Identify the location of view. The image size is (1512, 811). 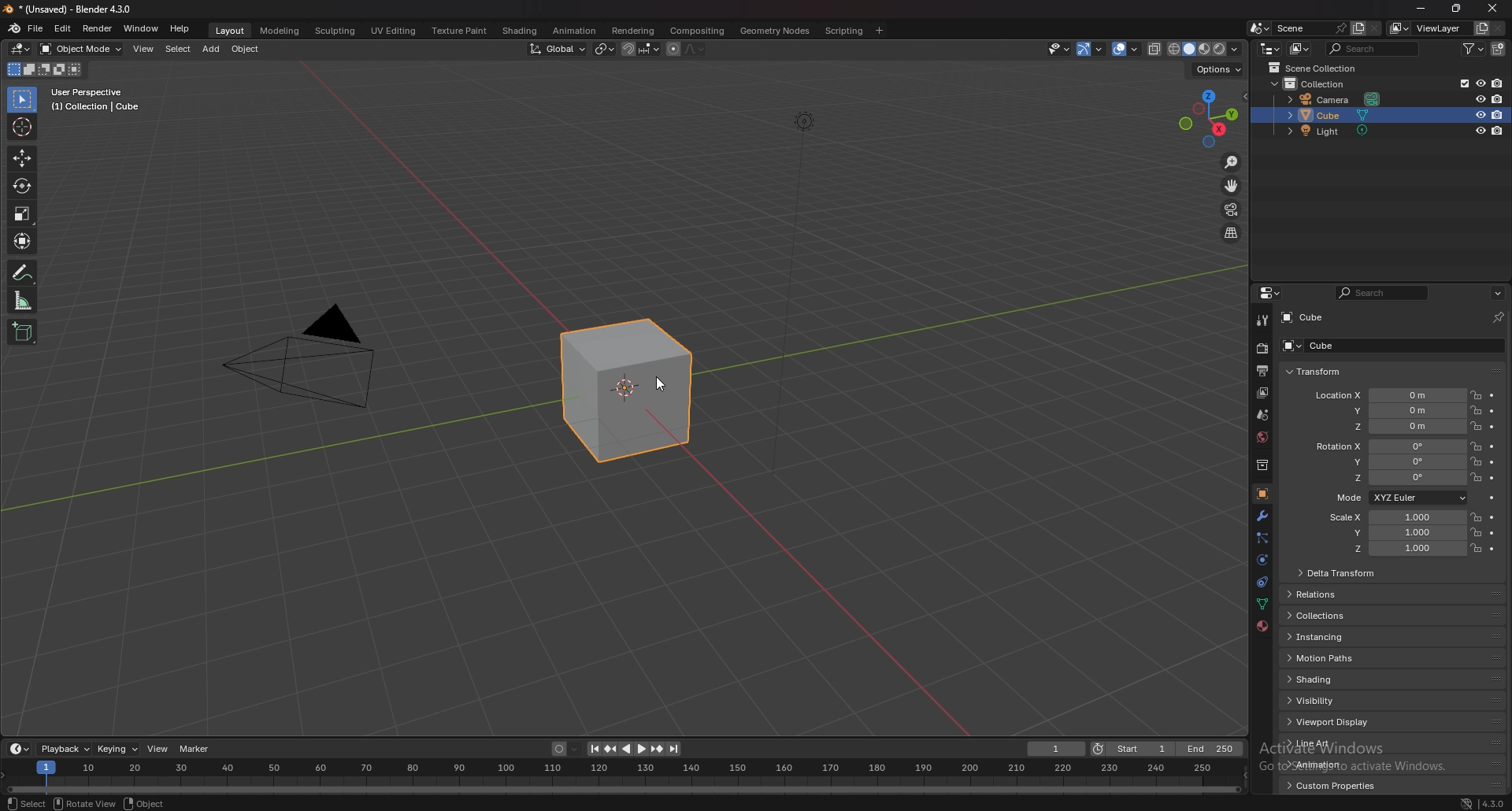
(159, 749).